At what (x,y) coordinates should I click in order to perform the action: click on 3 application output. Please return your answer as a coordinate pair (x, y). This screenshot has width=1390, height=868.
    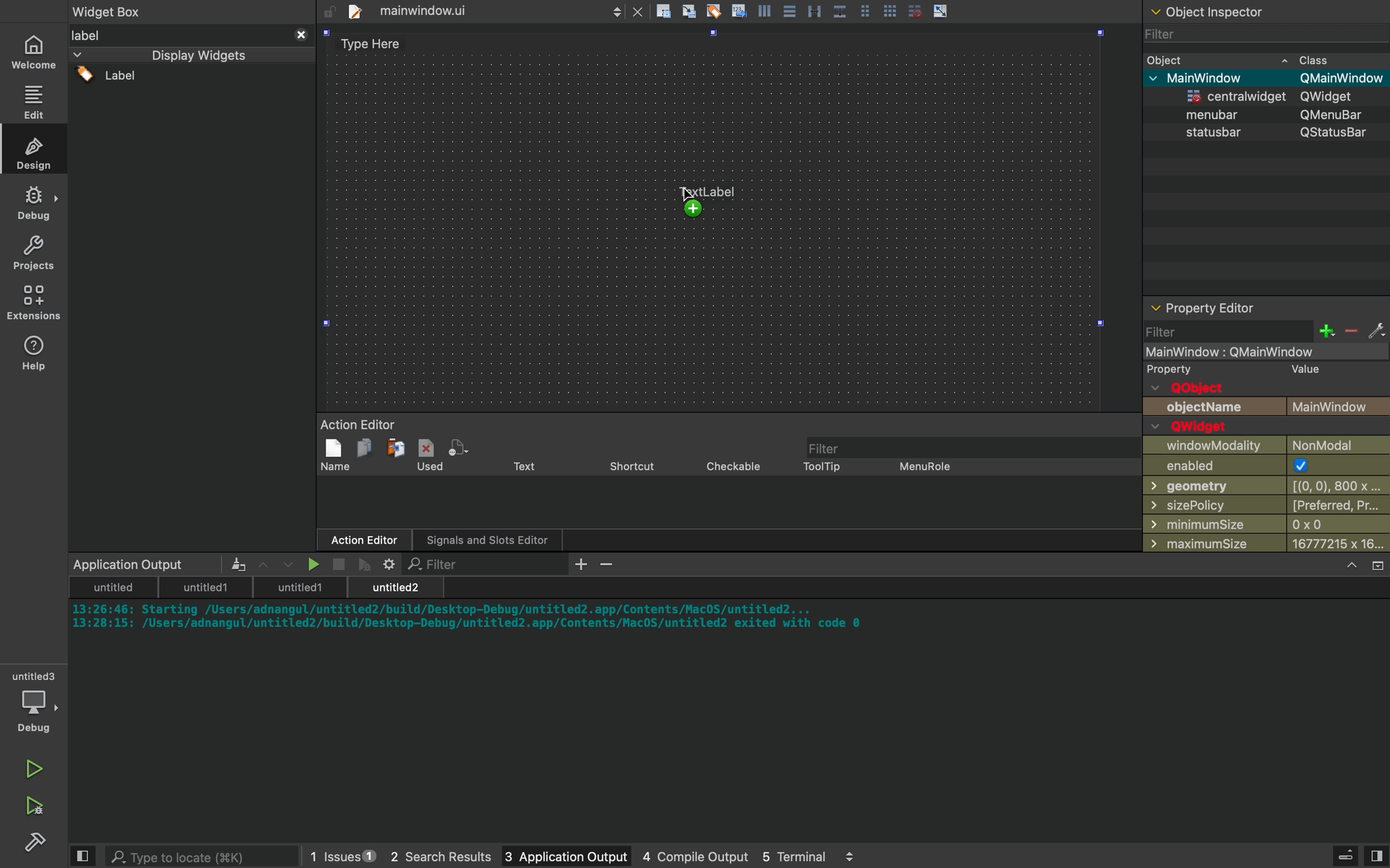
    Looking at the image, I should click on (550, 857).